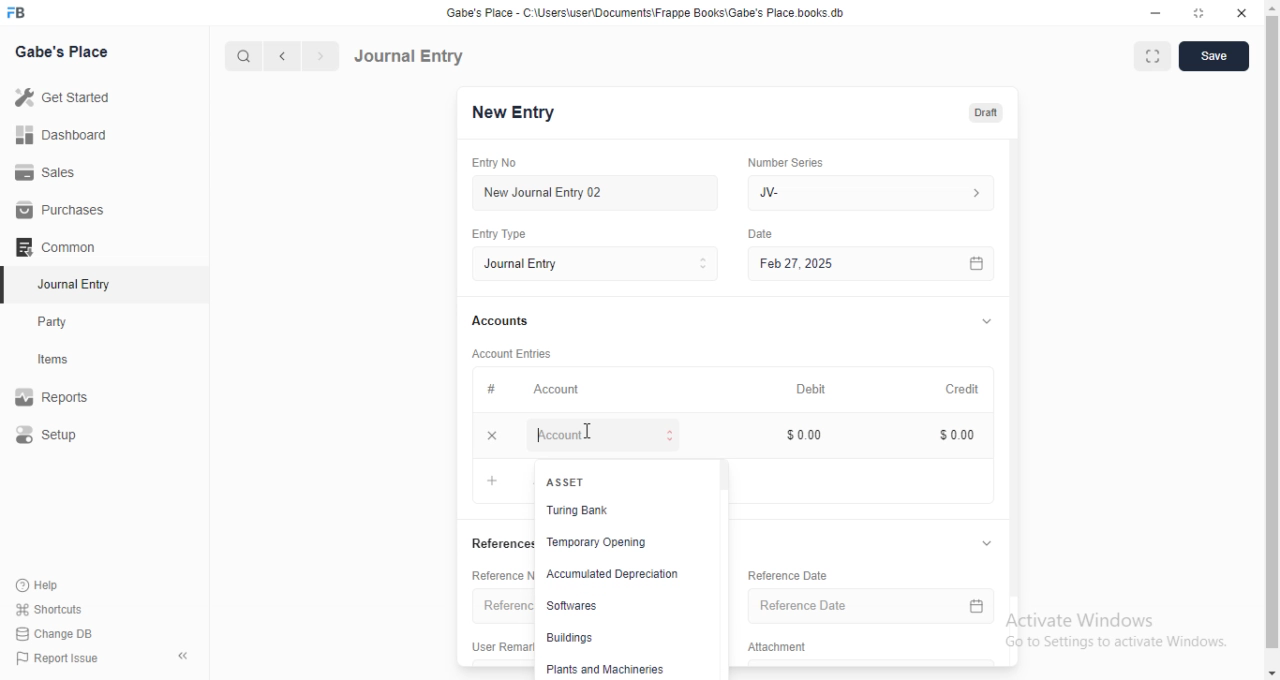 Image resolution: width=1280 pixels, height=680 pixels. I want to click on ‘Reference Number, so click(503, 606).